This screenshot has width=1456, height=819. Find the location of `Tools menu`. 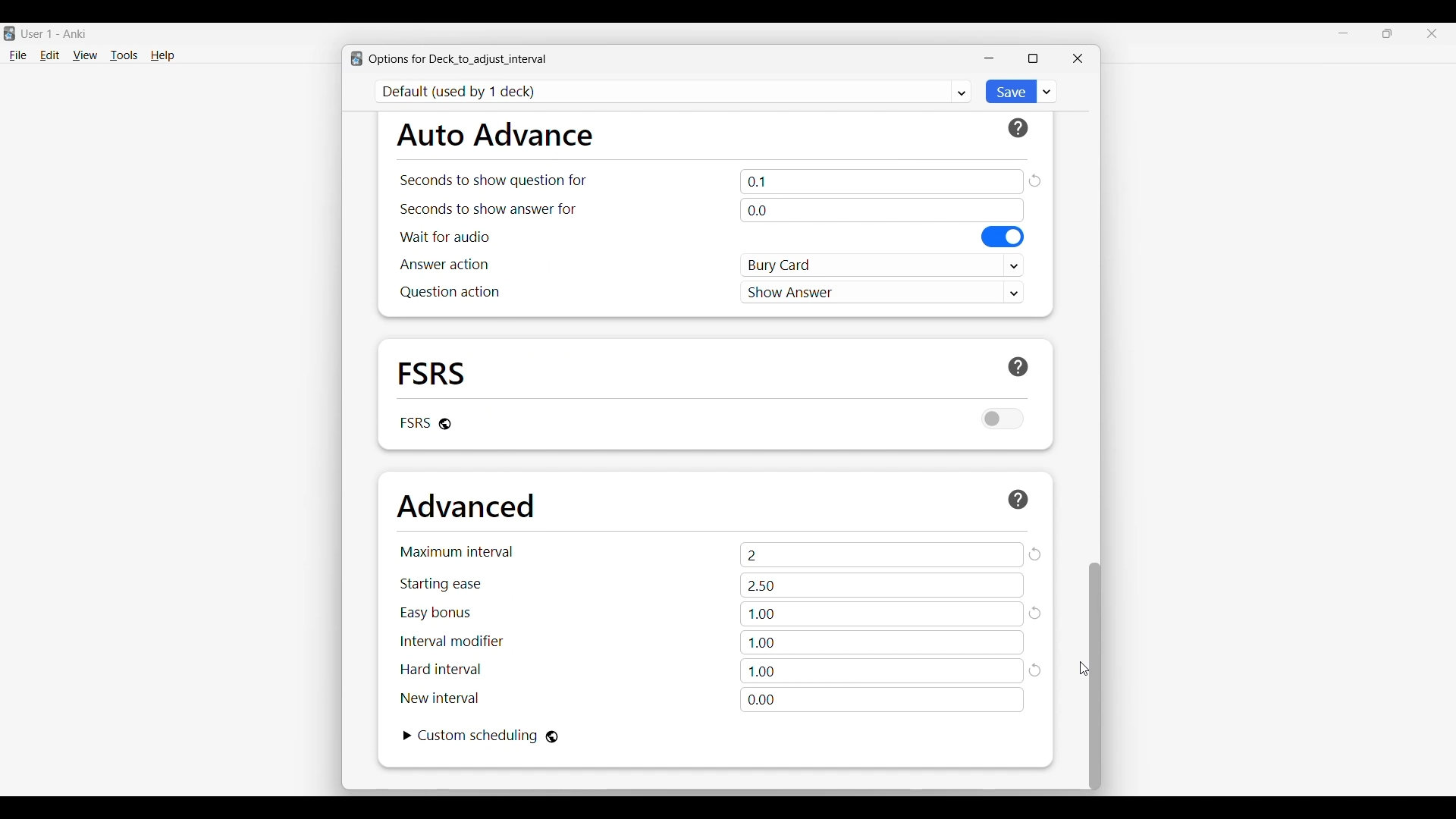

Tools menu is located at coordinates (124, 55).